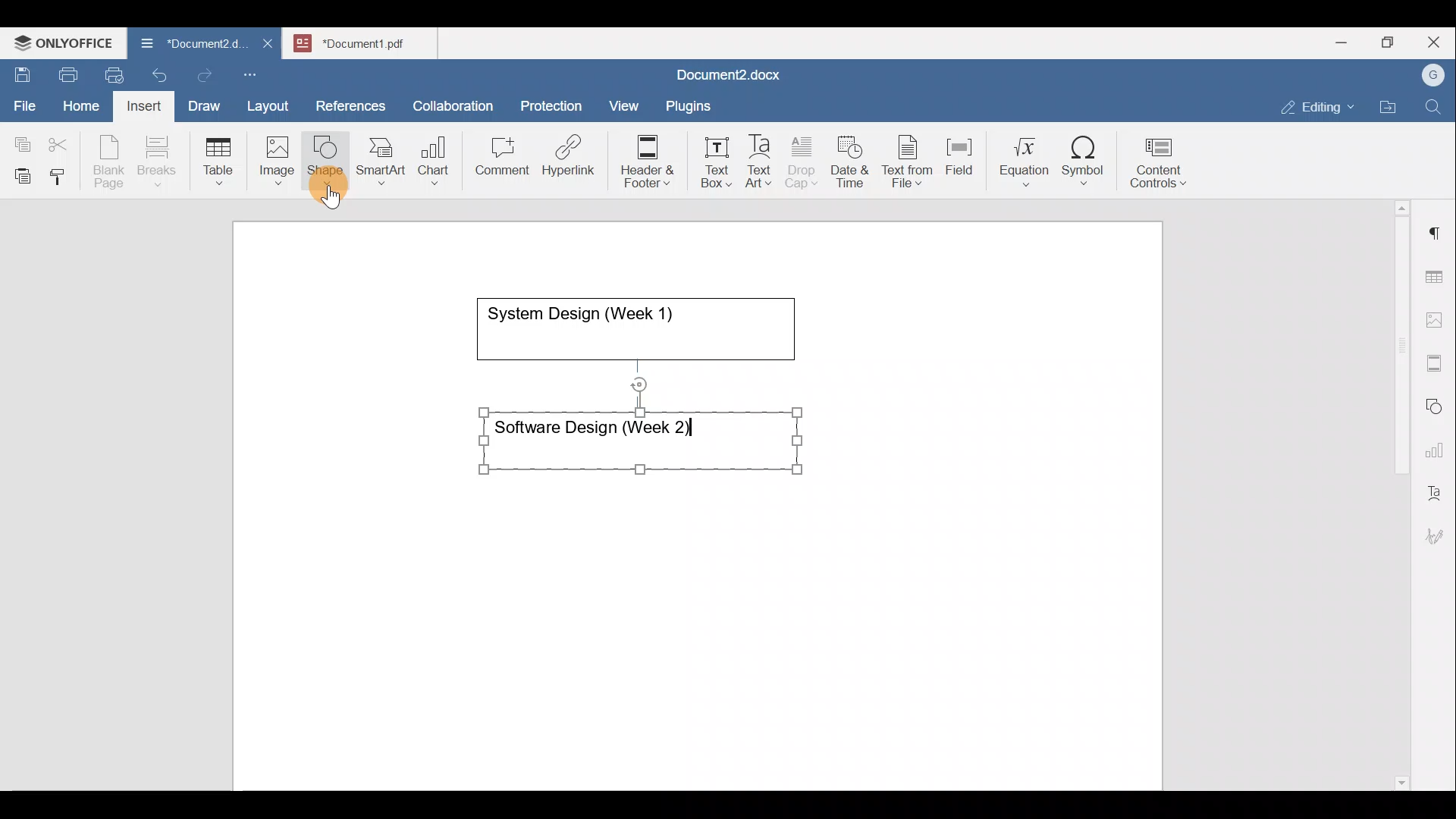 The width and height of the screenshot is (1456, 819). I want to click on Signature settings, so click(1439, 531).